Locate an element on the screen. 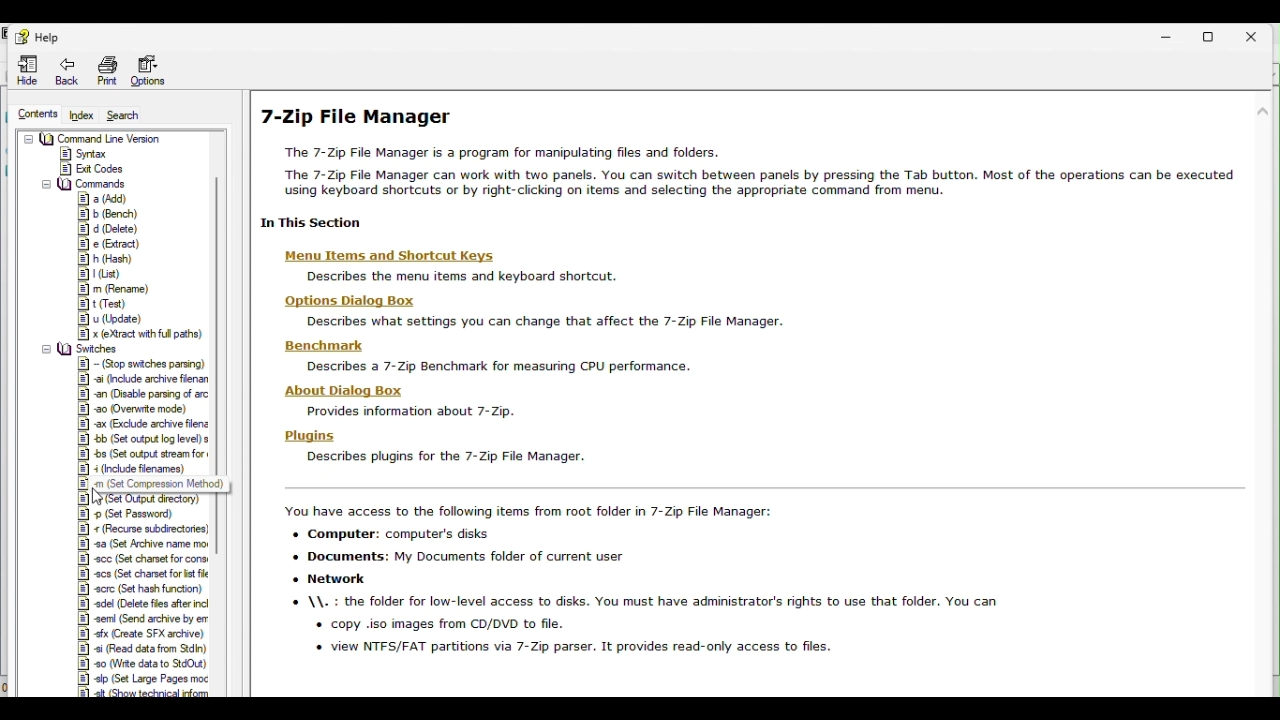 The width and height of the screenshot is (1280, 720). description text is located at coordinates (499, 366).